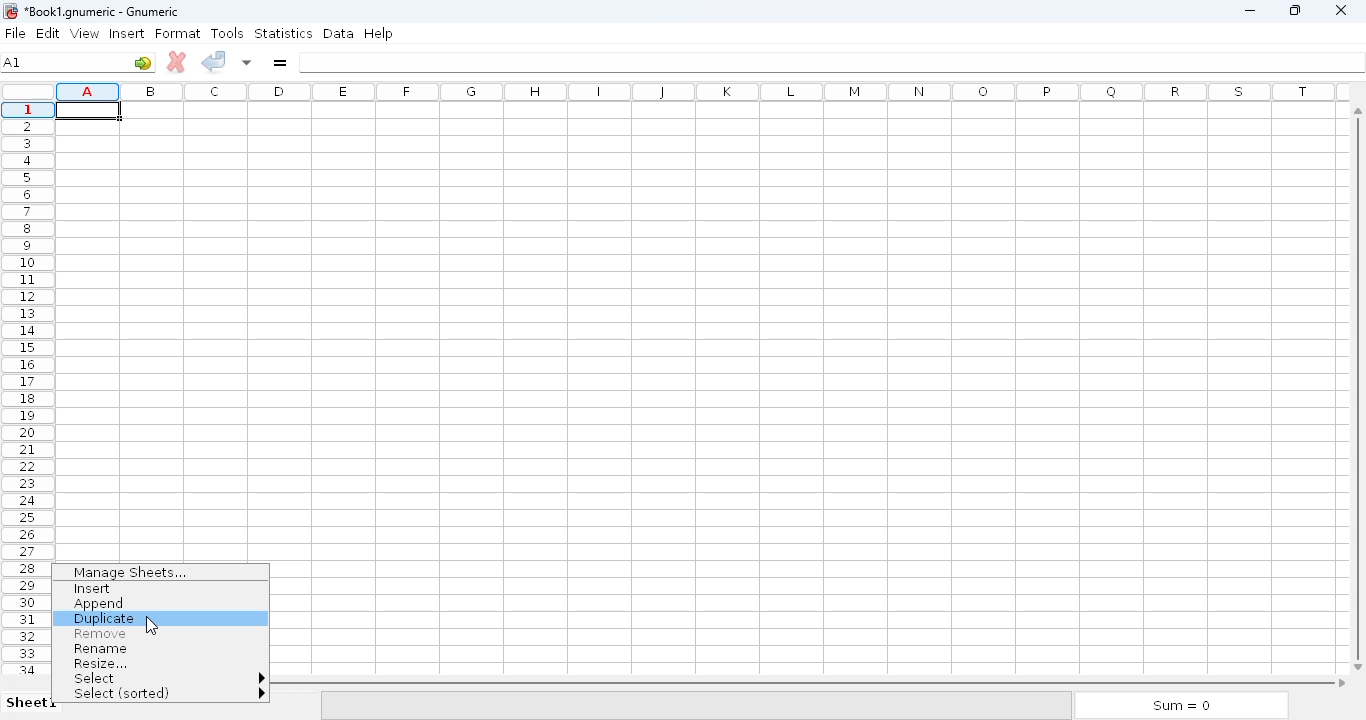  I want to click on maximize, so click(1296, 10).